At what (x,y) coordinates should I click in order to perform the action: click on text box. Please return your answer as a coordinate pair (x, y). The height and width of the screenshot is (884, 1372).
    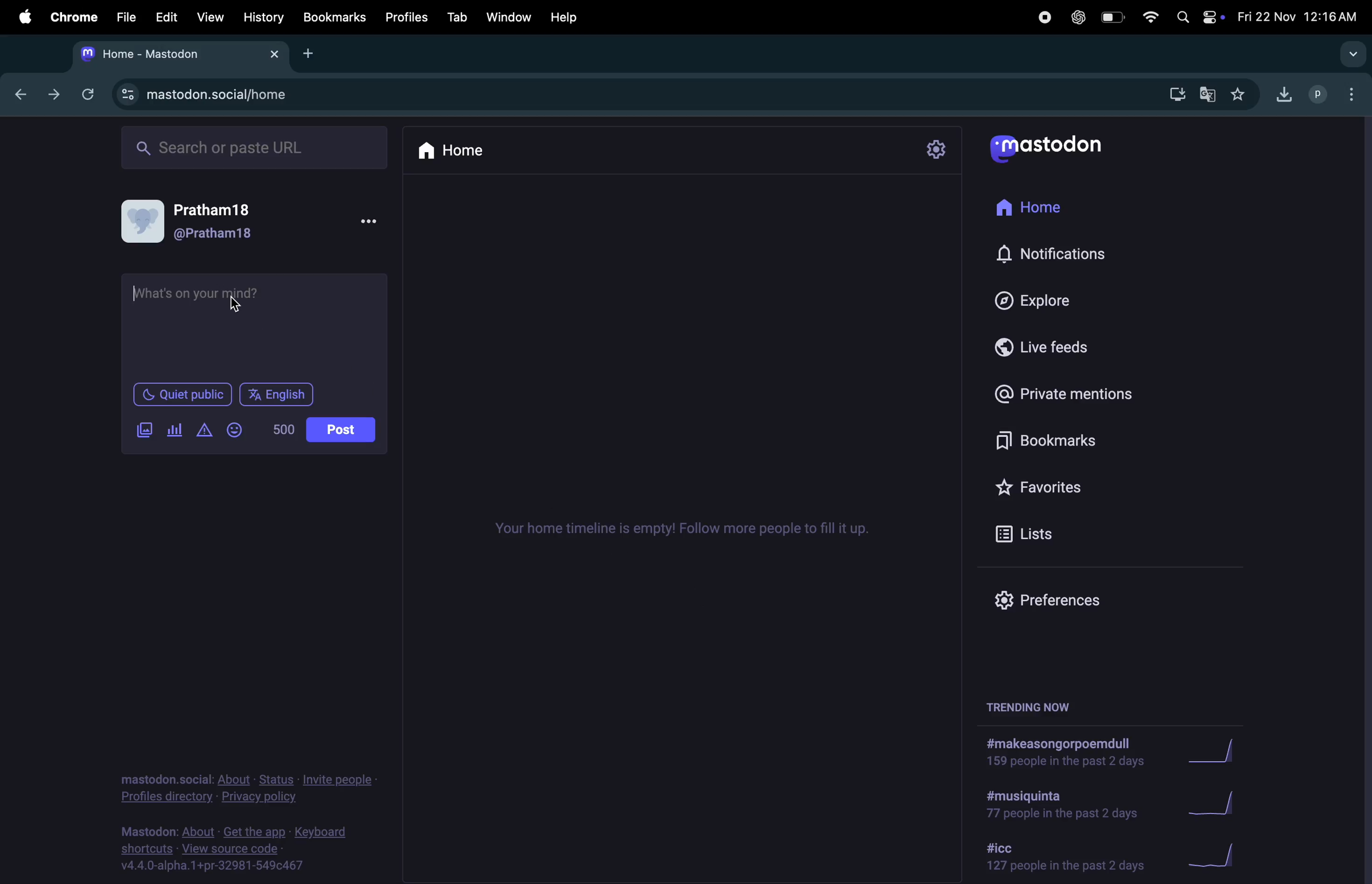
    Looking at the image, I should click on (254, 321).